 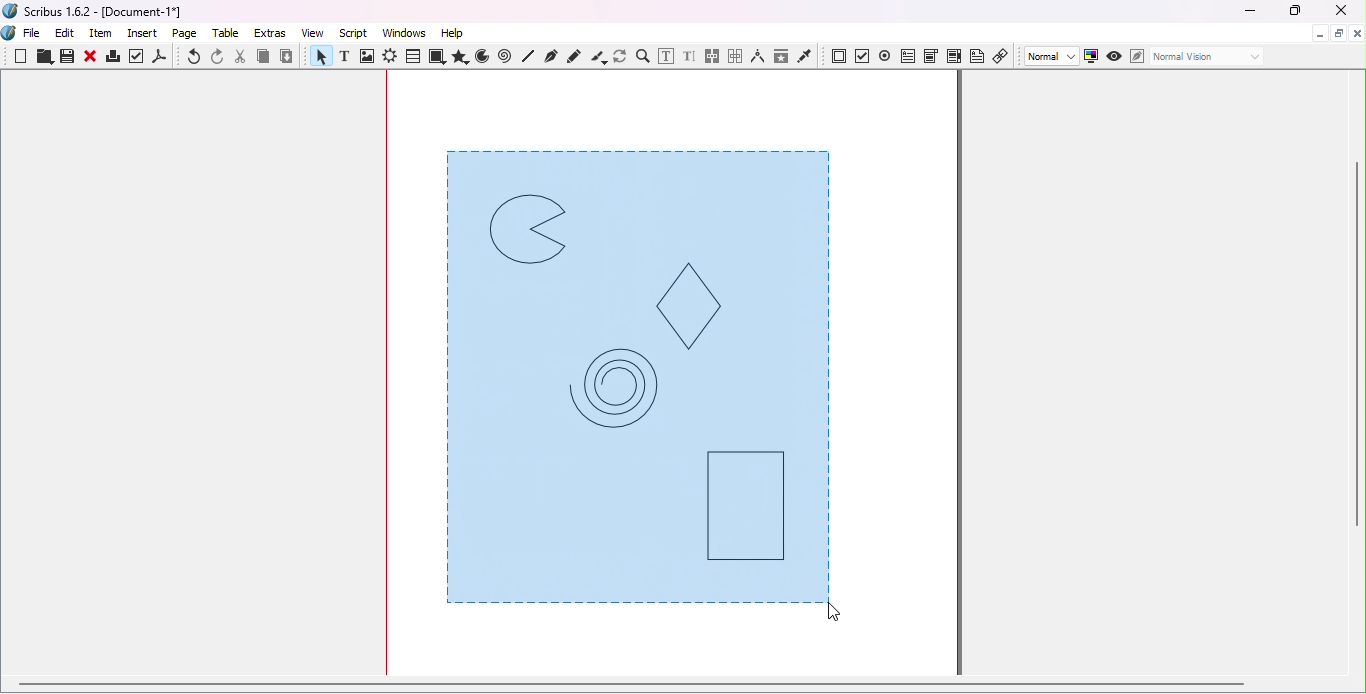 I want to click on Open, so click(x=42, y=58).